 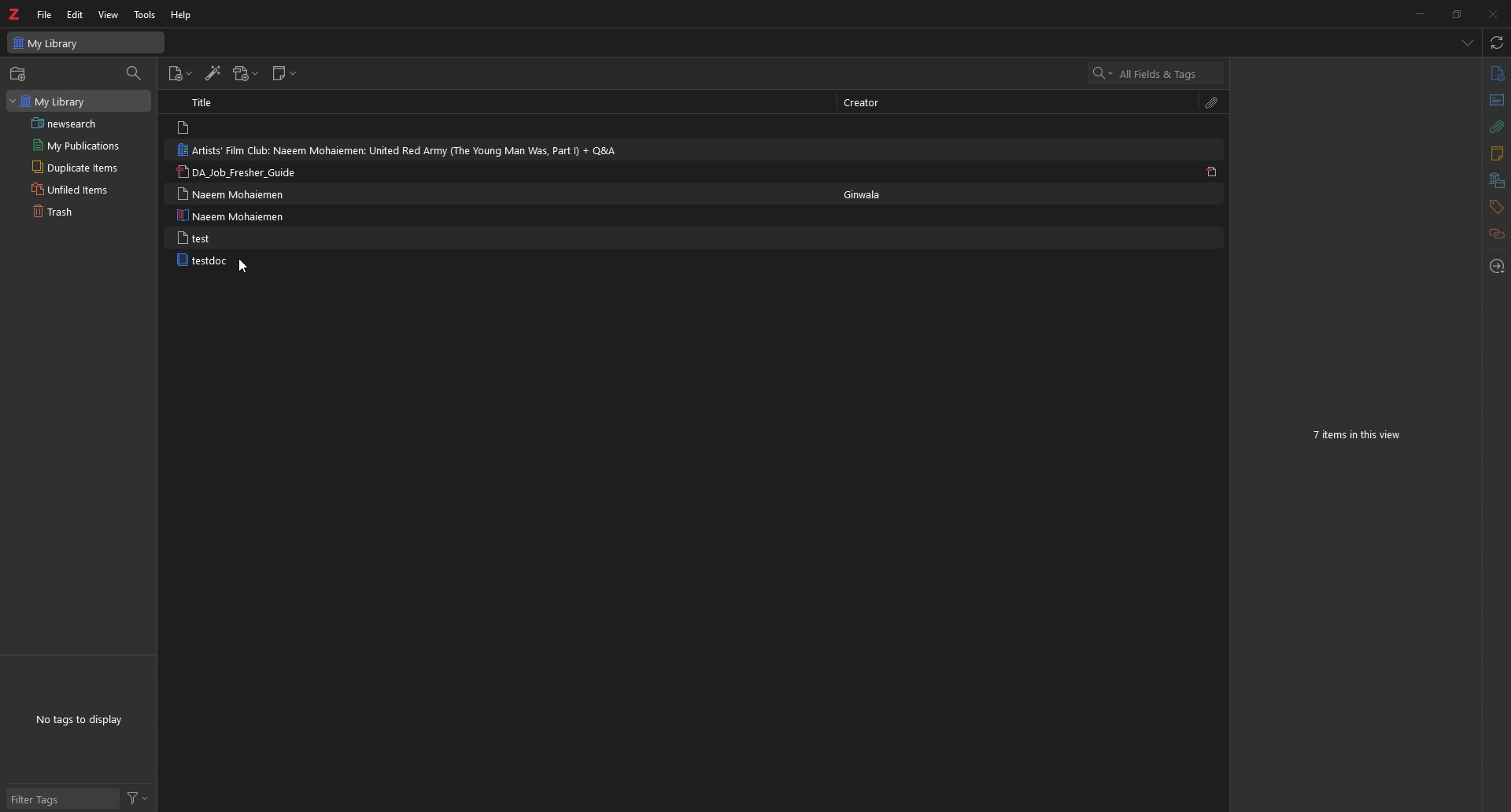 I want to click on filter tags, so click(x=139, y=800).